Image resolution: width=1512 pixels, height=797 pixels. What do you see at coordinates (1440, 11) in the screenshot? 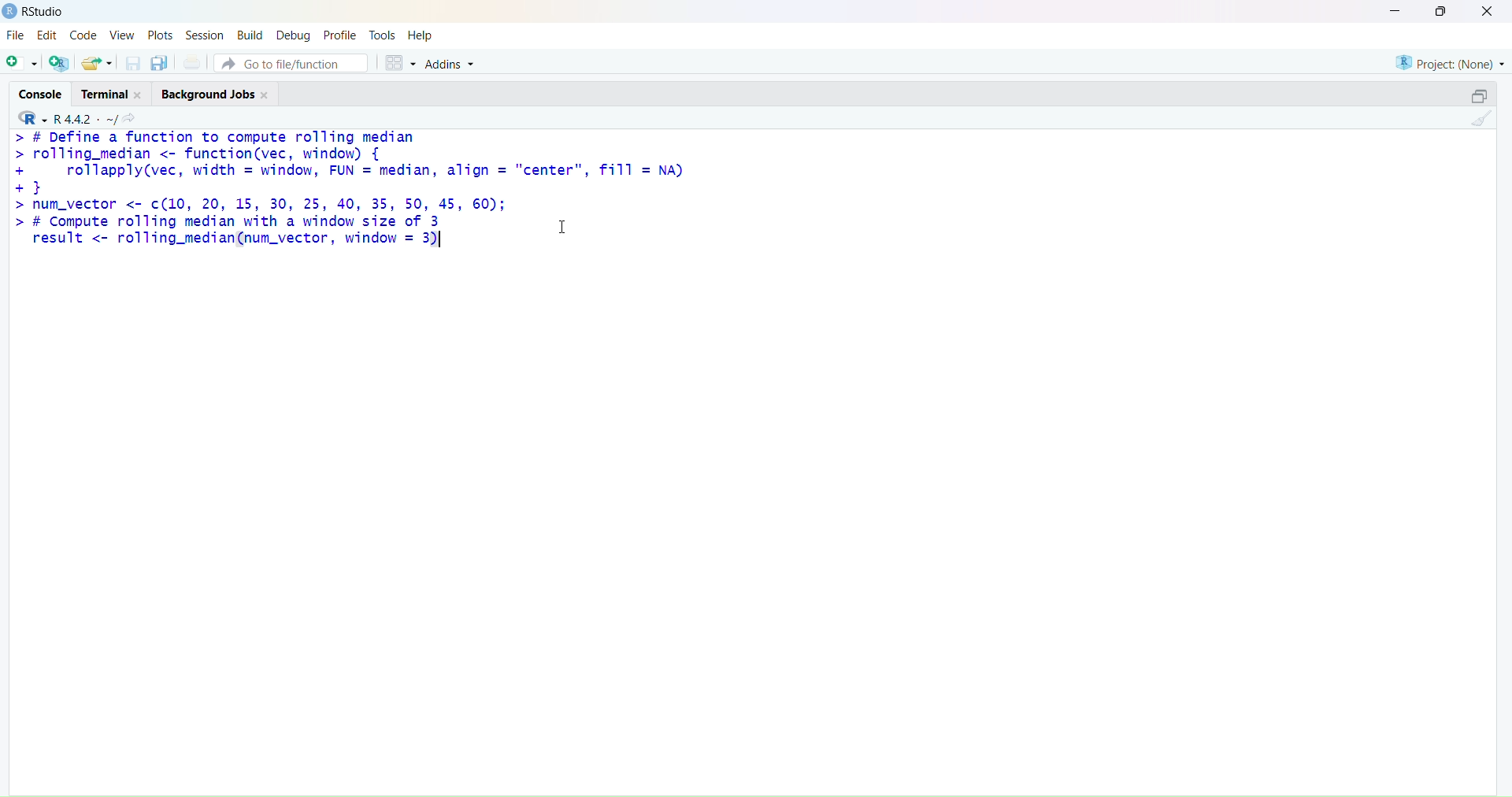
I see `maximise` at bounding box center [1440, 11].